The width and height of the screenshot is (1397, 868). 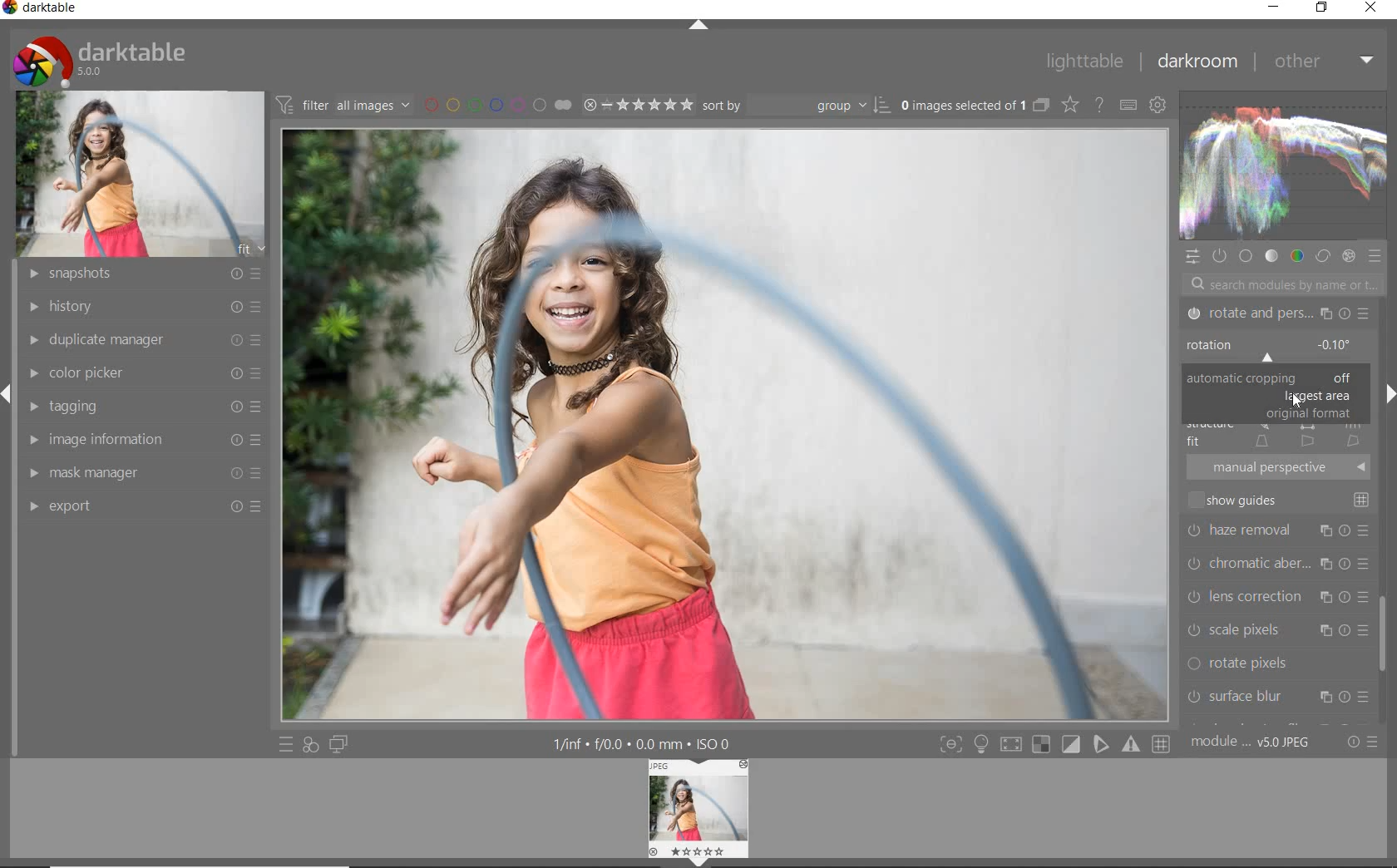 I want to click on enable for online help, so click(x=1099, y=105).